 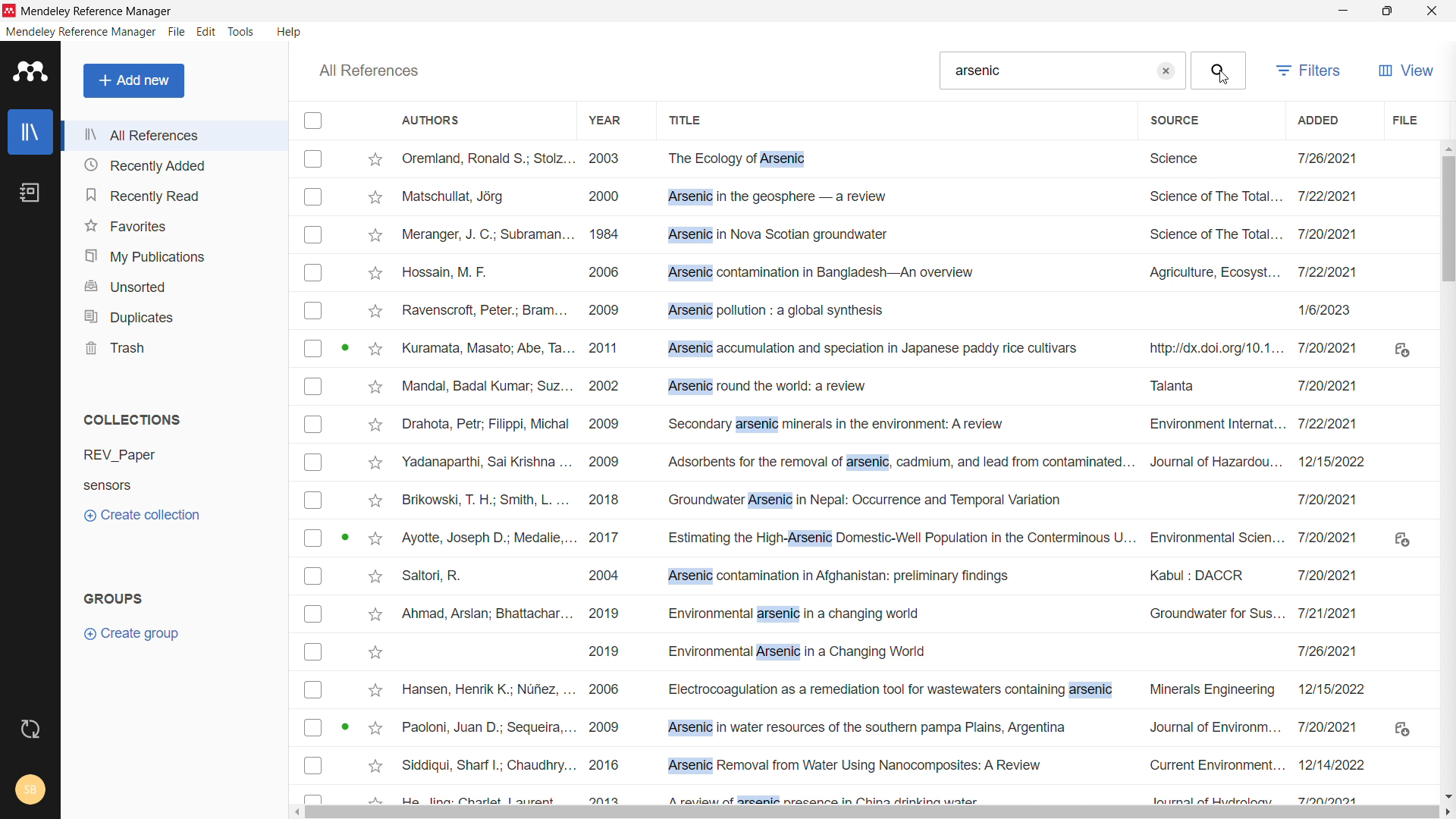 I want to click on Add to favorites, so click(x=377, y=576).